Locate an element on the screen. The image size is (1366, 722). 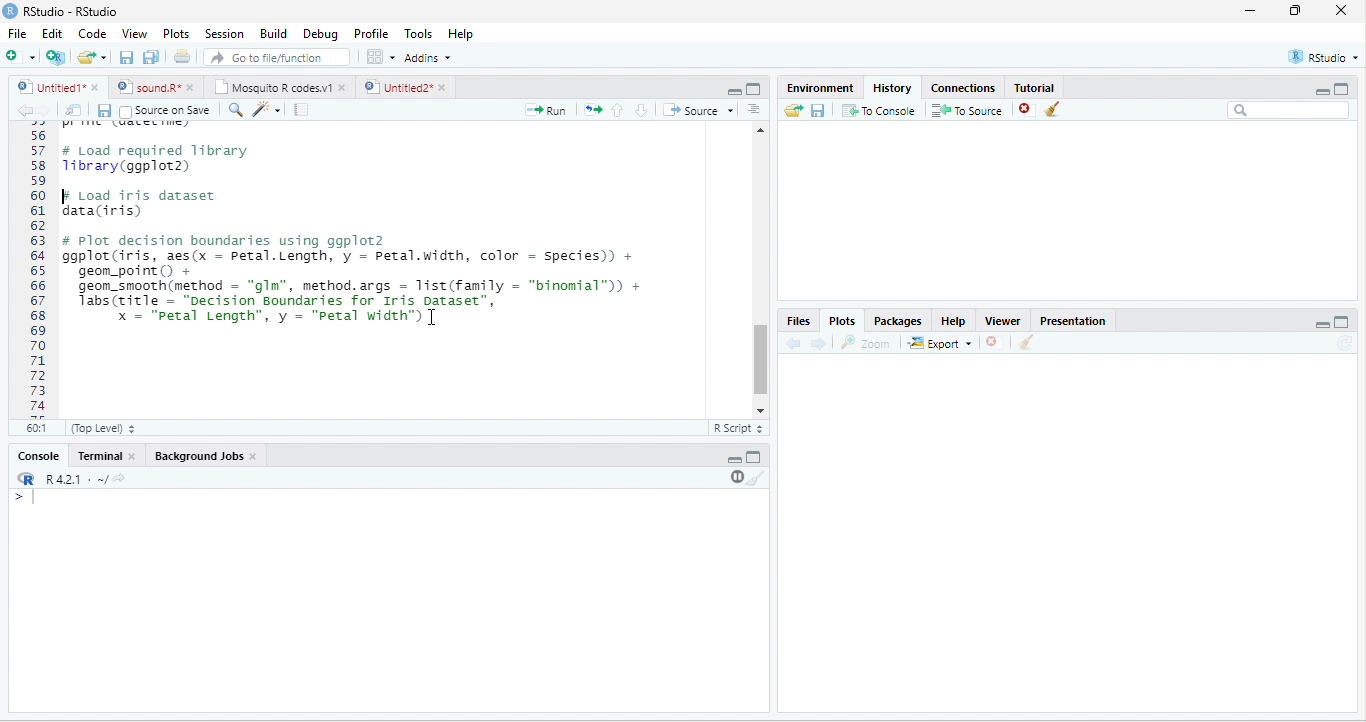
Environment is located at coordinates (821, 87).